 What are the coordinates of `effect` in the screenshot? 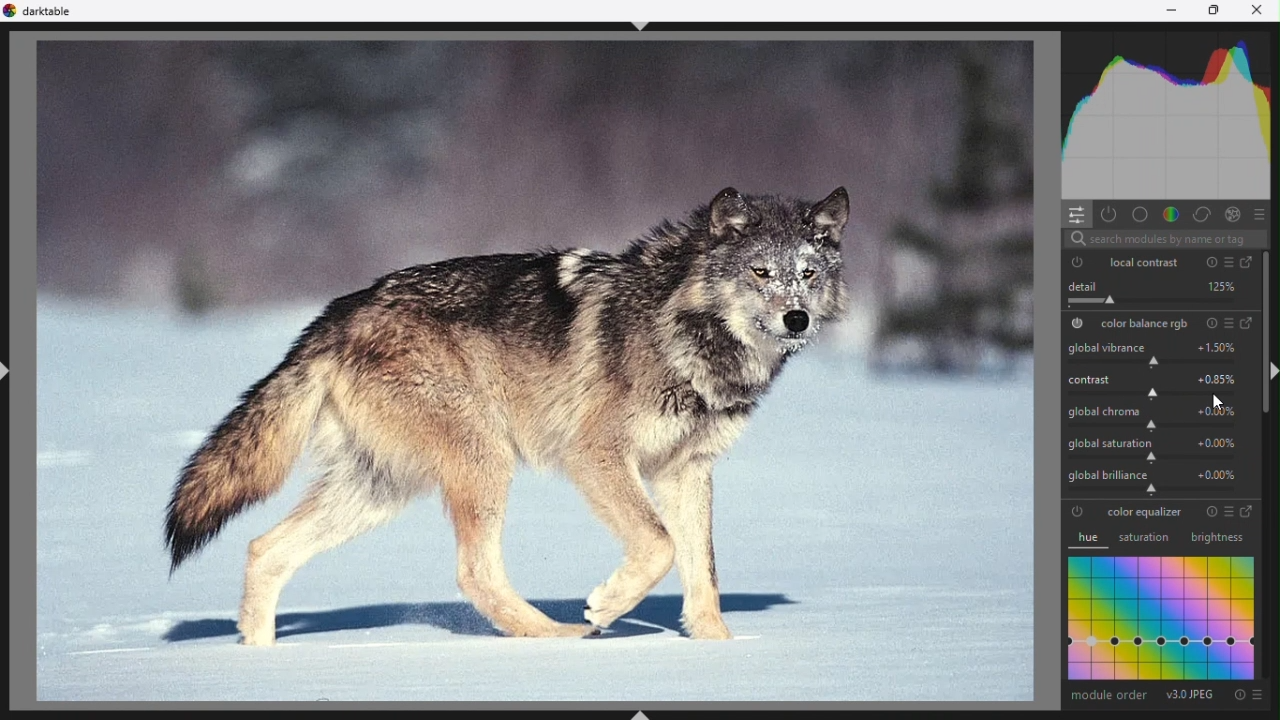 It's located at (1232, 213).